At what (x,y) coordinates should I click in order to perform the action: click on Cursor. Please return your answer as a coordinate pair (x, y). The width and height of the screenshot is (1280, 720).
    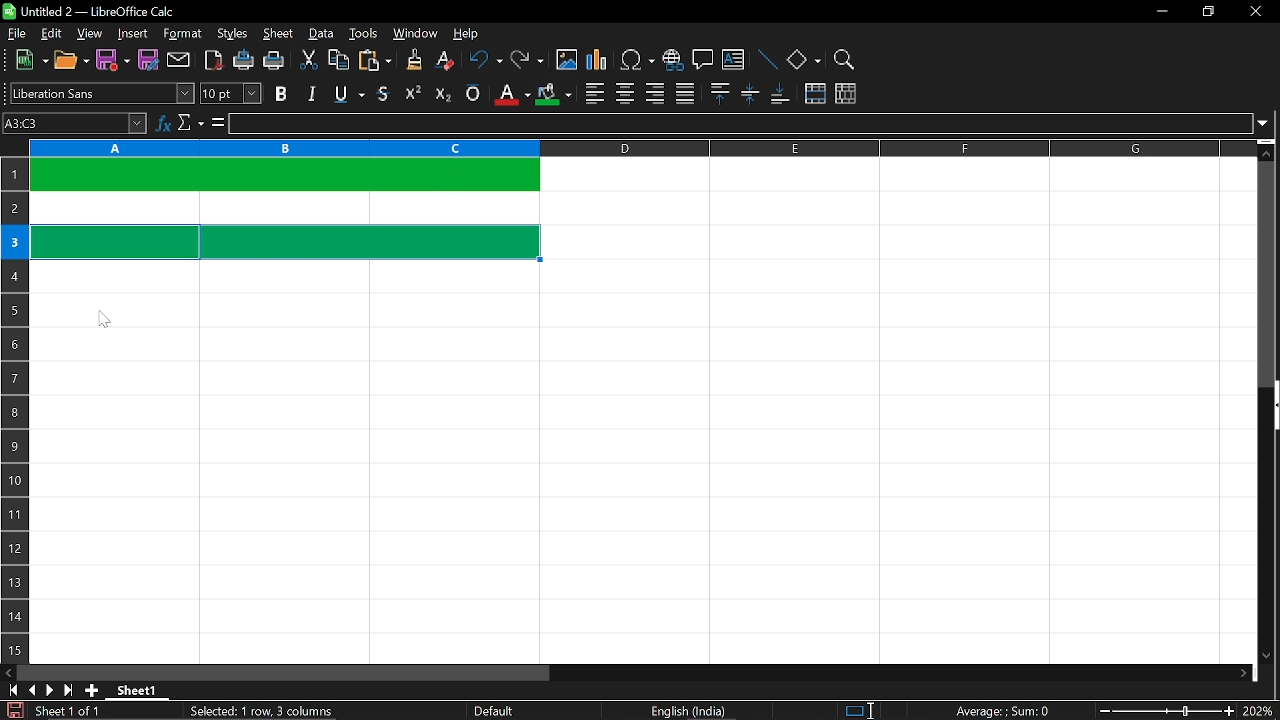
    Looking at the image, I should click on (95, 318).